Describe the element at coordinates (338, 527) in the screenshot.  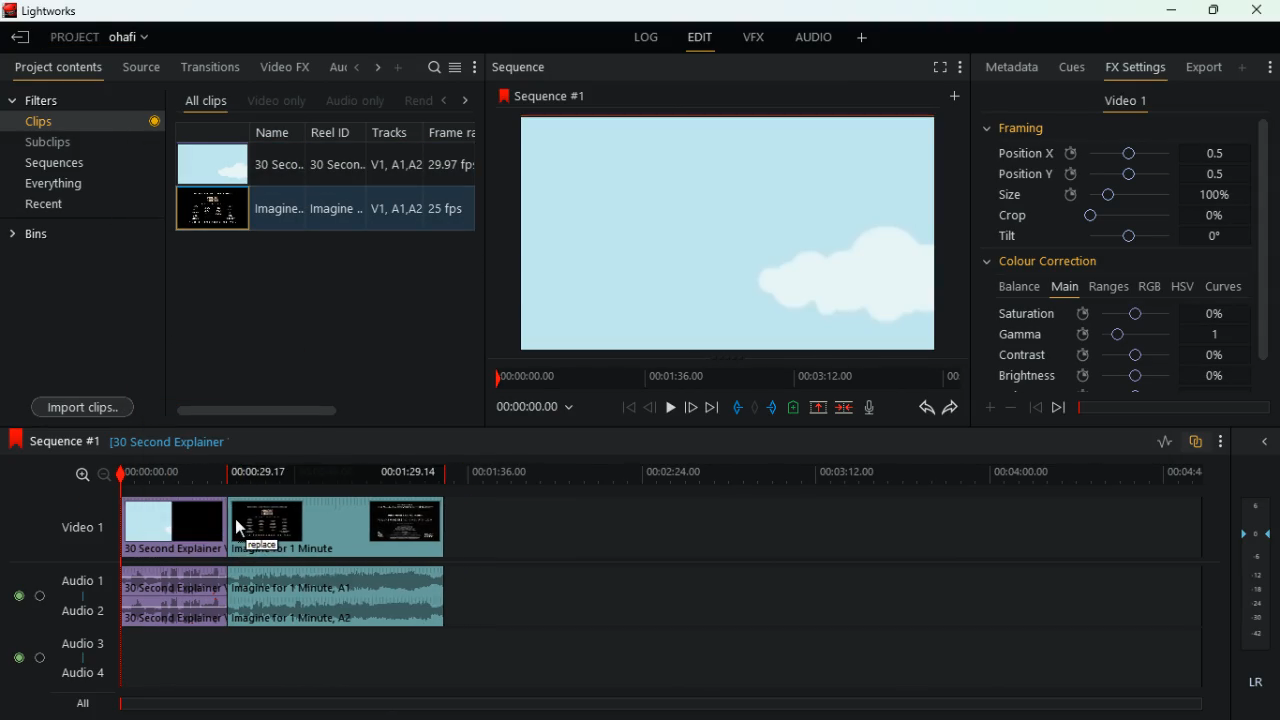
I see `video` at that location.